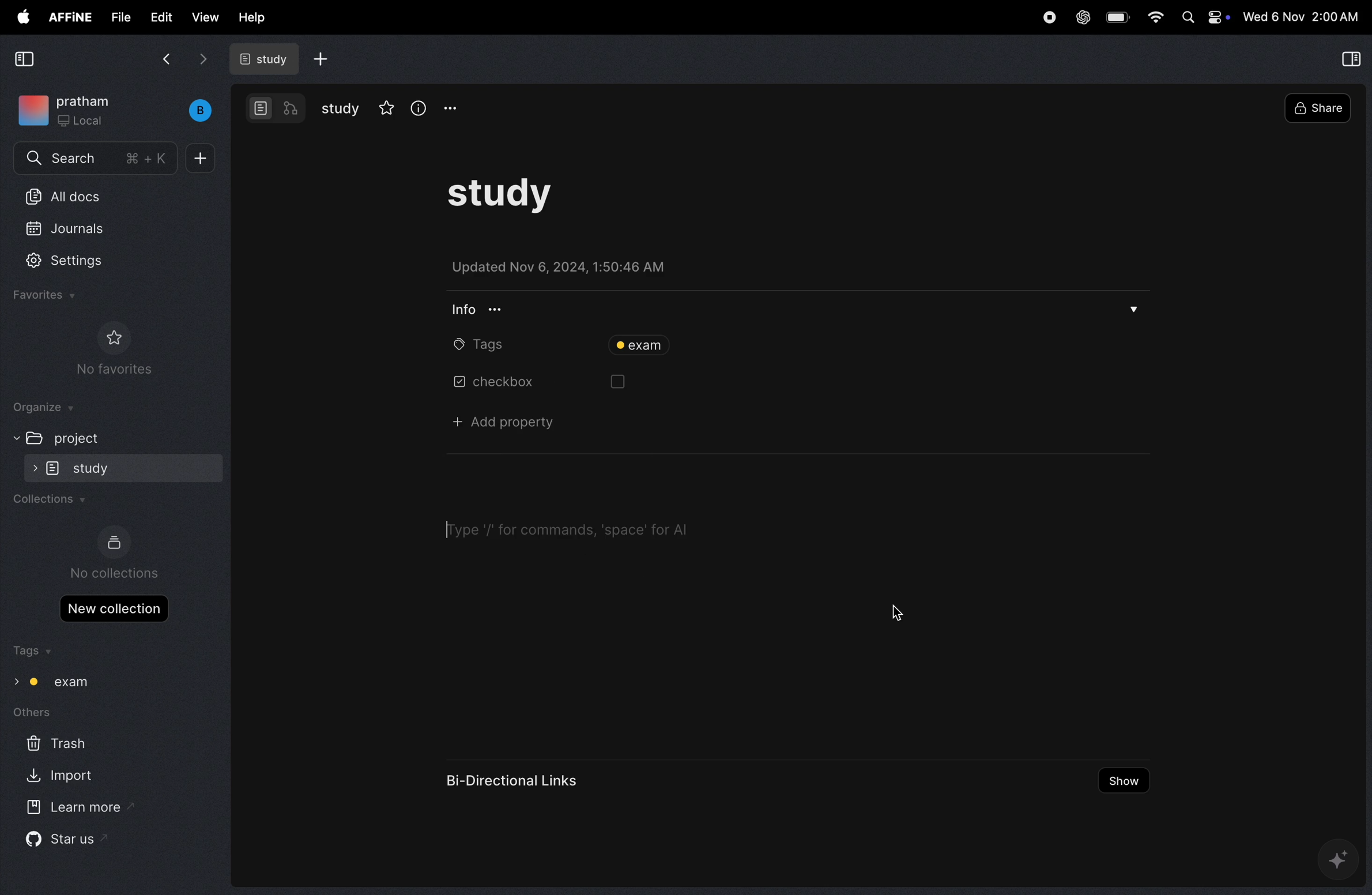 The height and width of the screenshot is (895, 1372). I want to click on forward, so click(203, 61).